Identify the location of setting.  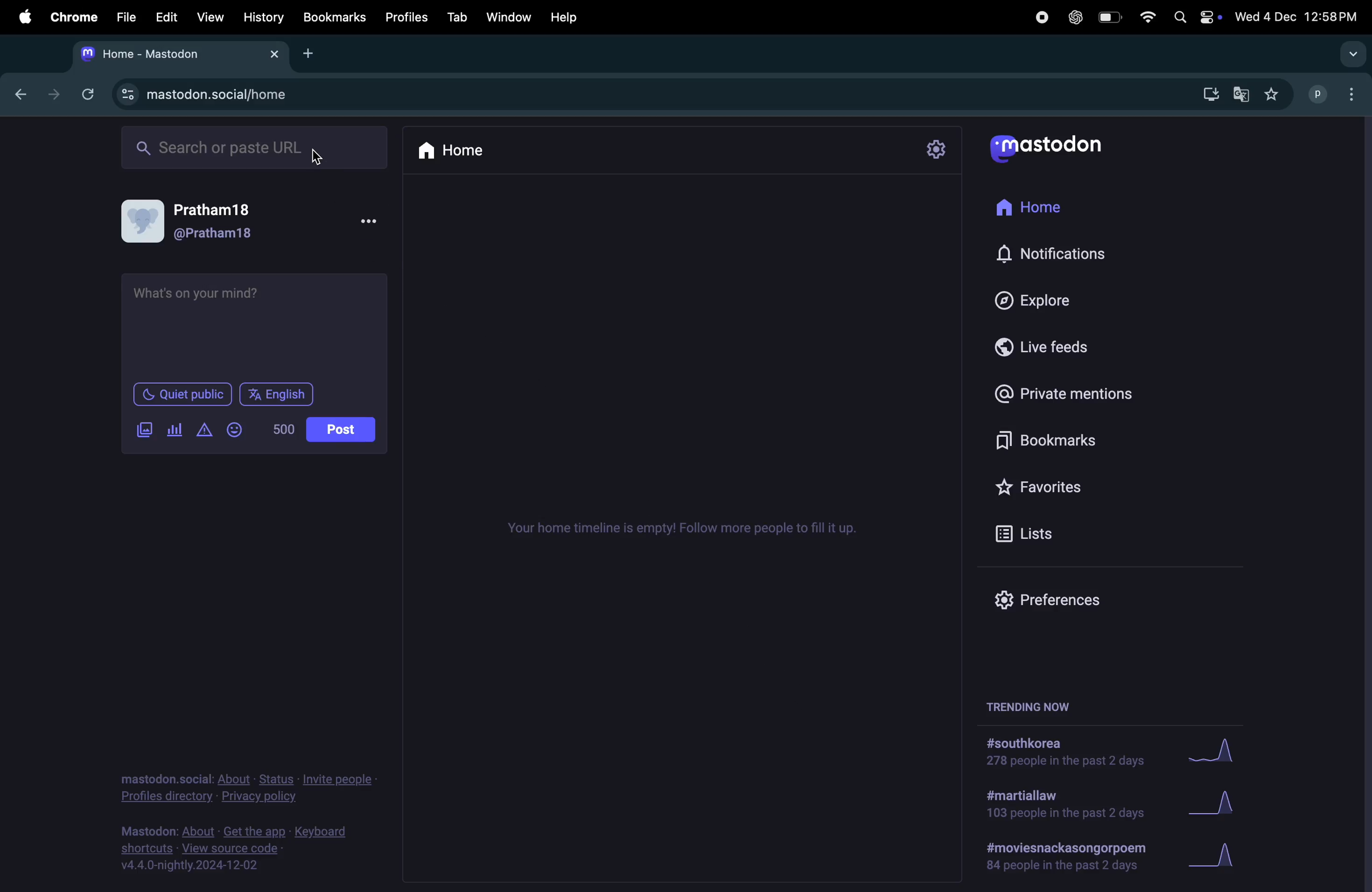
(938, 148).